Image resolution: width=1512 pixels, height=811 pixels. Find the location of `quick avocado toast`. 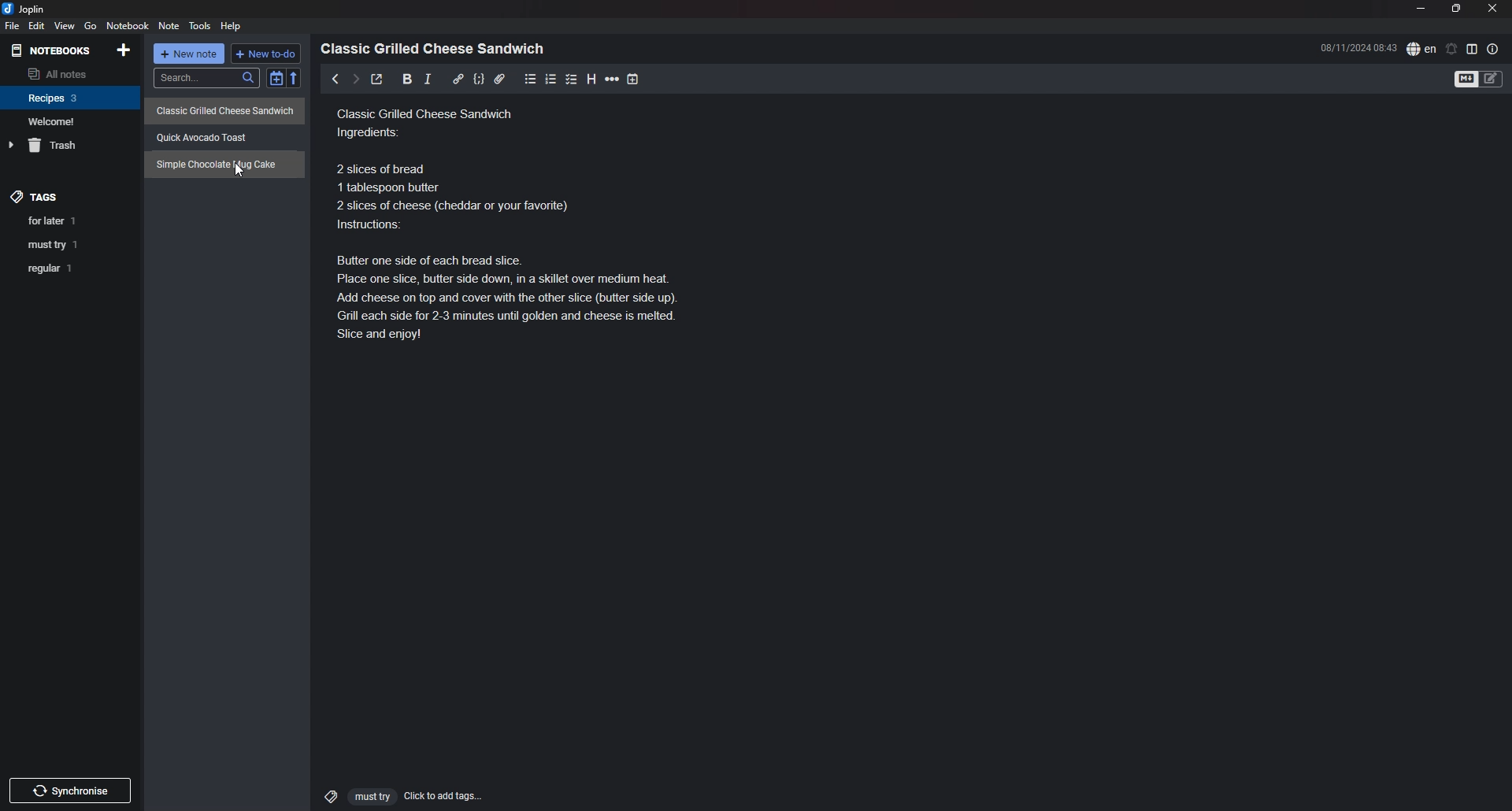

quick avocado toast is located at coordinates (210, 134).